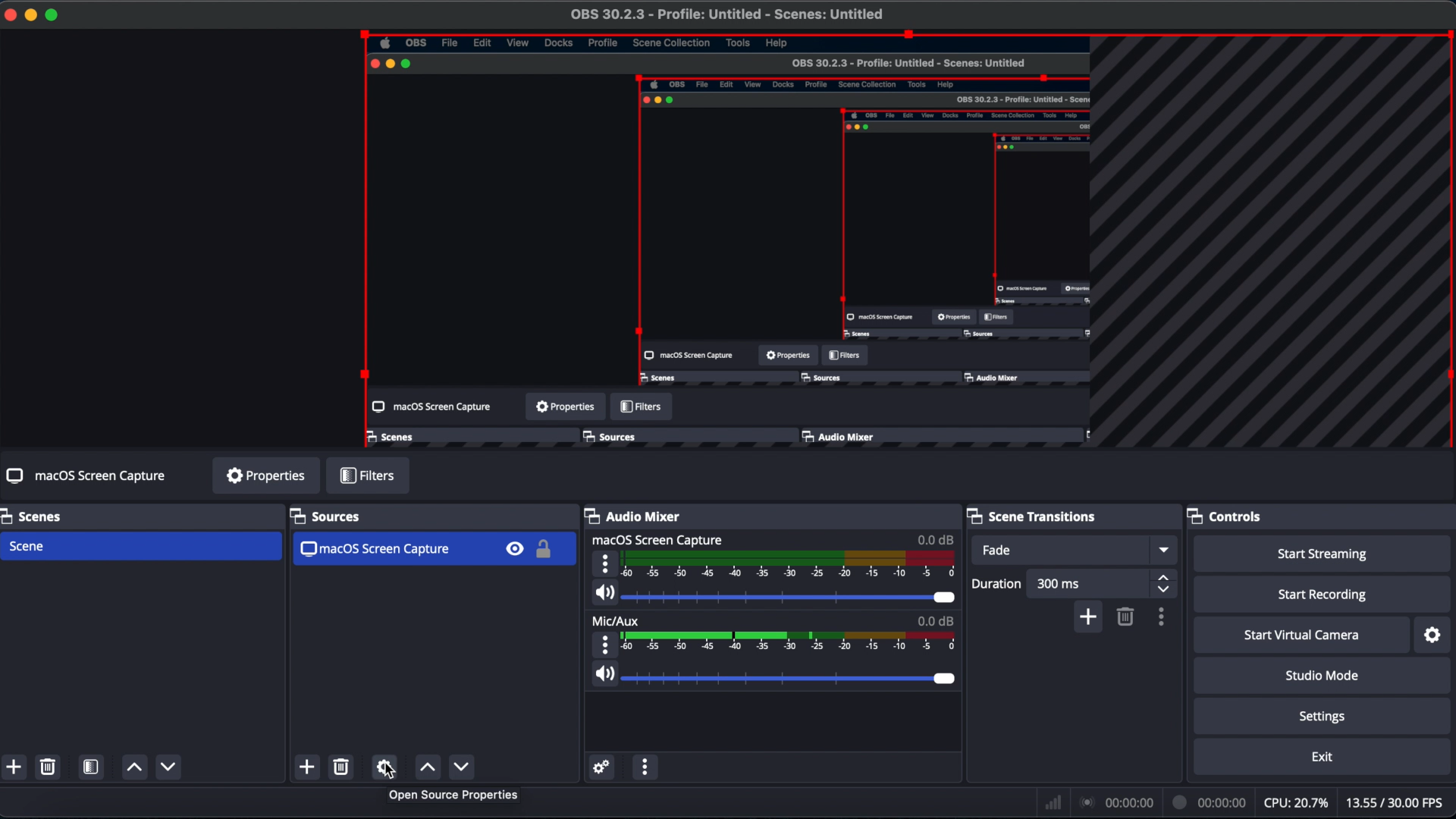 The width and height of the screenshot is (1456, 819). I want to click on streaming elapsed time, so click(1119, 802).